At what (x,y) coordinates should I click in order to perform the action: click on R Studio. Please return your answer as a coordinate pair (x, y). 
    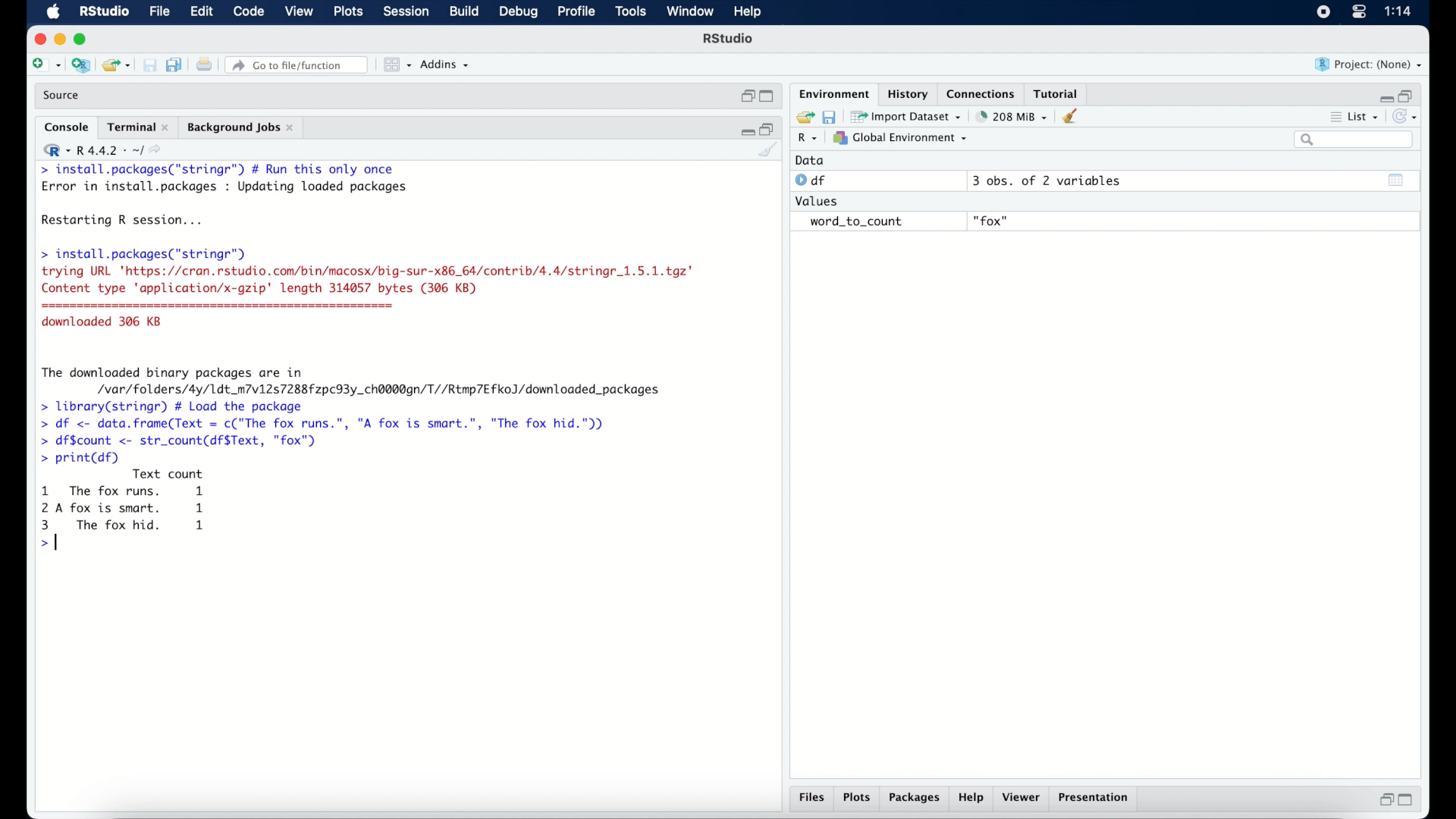
    Looking at the image, I should click on (103, 12).